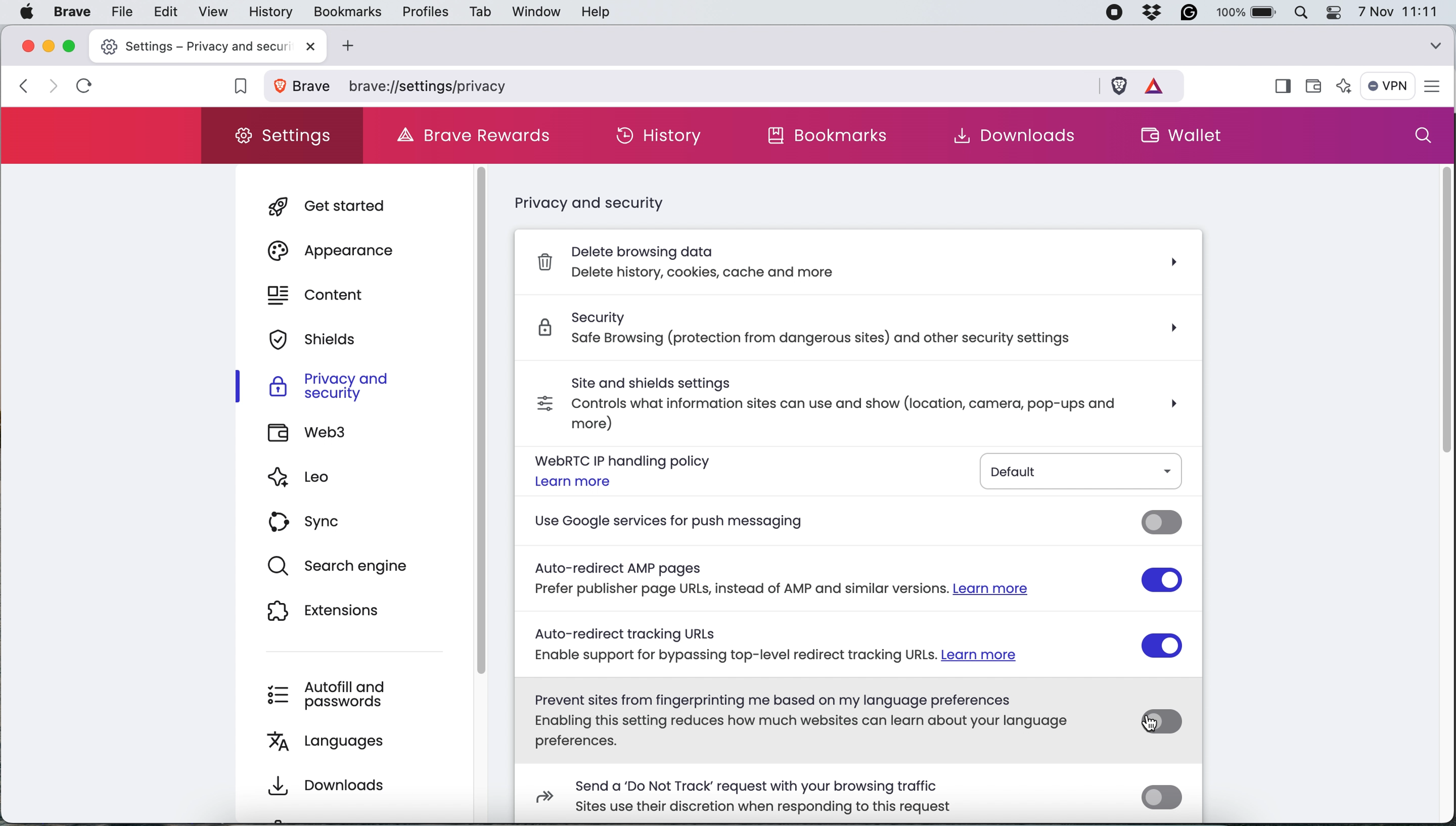 The image size is (1456, 826). Describe the element at coordinates (1389, 86) in the screenshot. I see `vpn` at that location.